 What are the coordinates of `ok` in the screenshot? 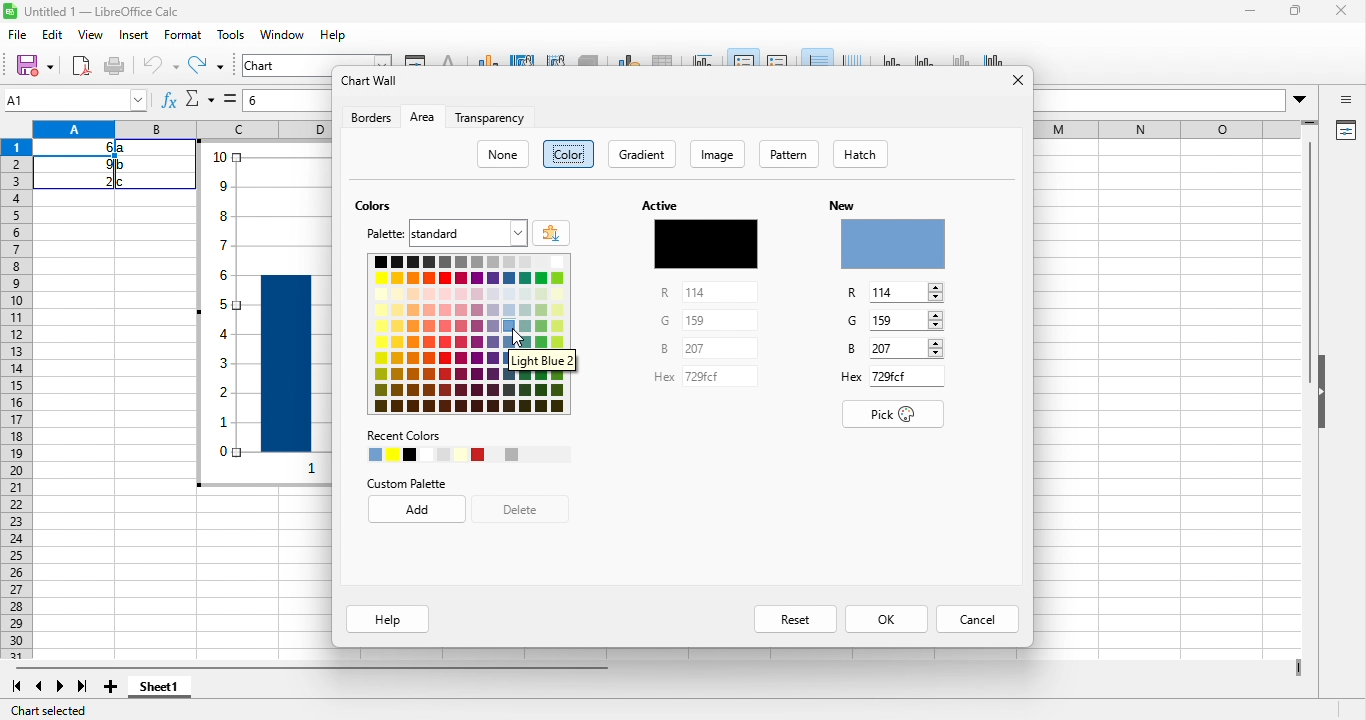 It's located at (884, 618).